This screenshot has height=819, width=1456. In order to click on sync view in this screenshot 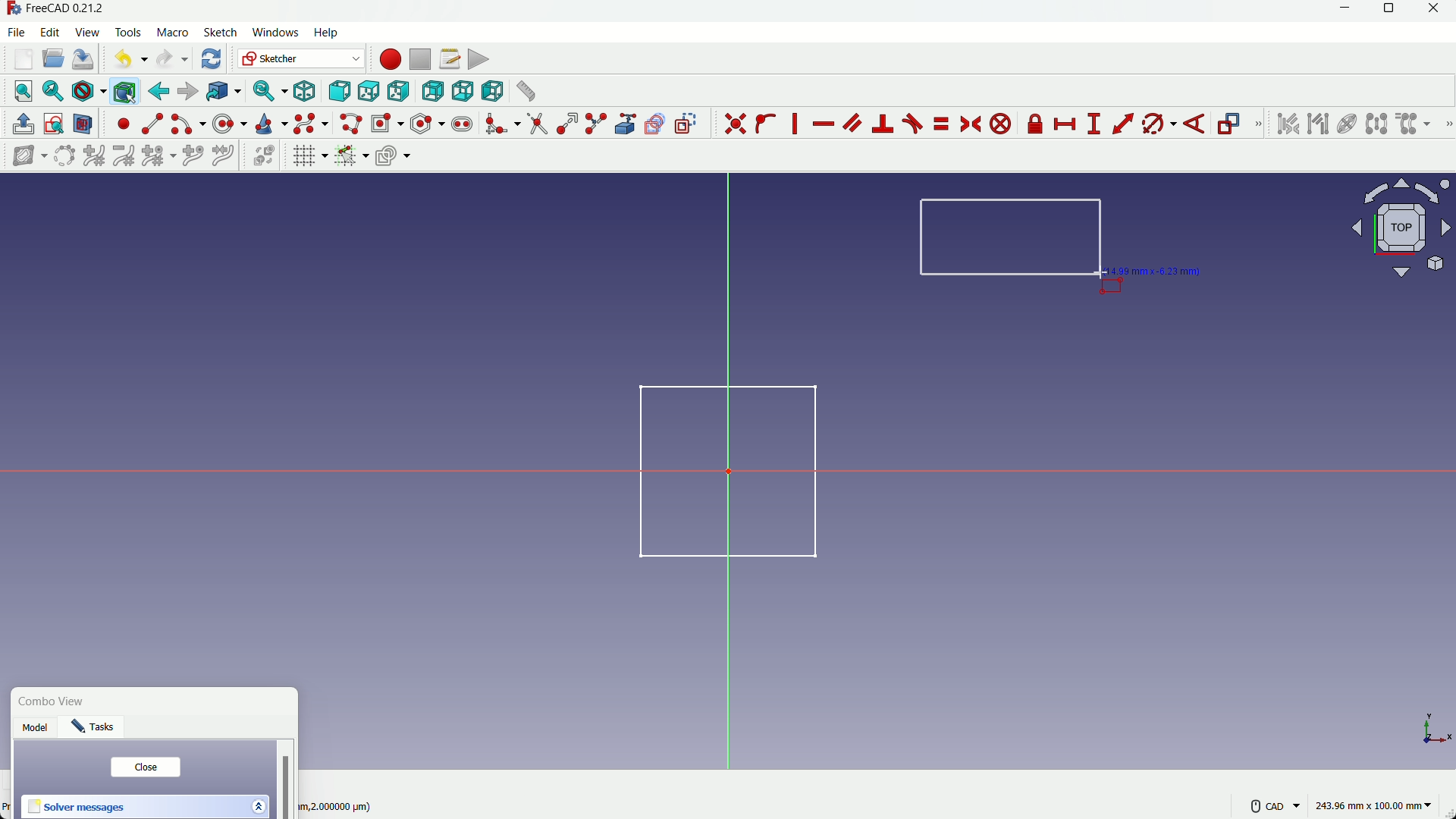, I will do `click(267, 92)`.